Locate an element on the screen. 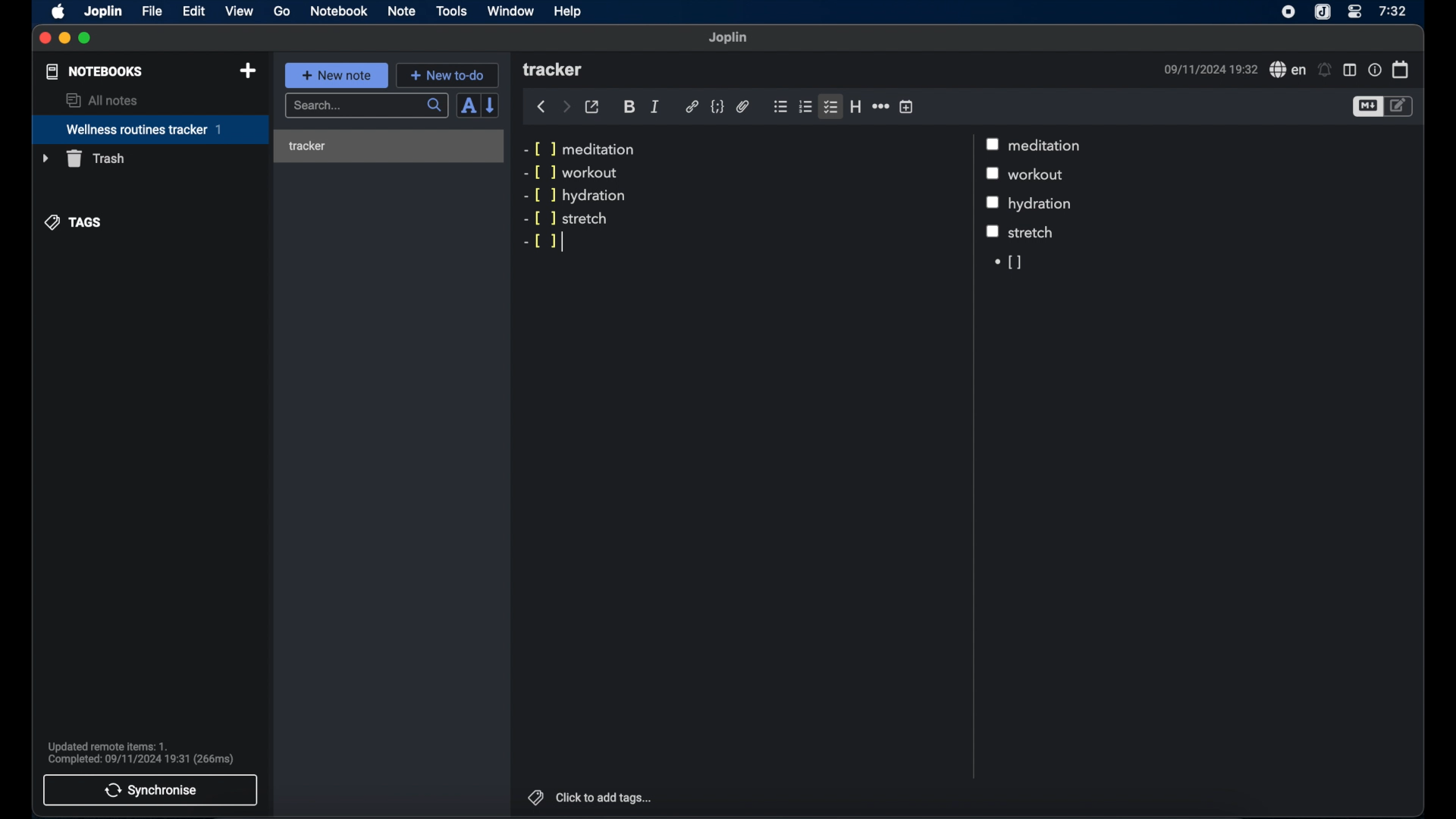  code is located at coordinates (717, 107).